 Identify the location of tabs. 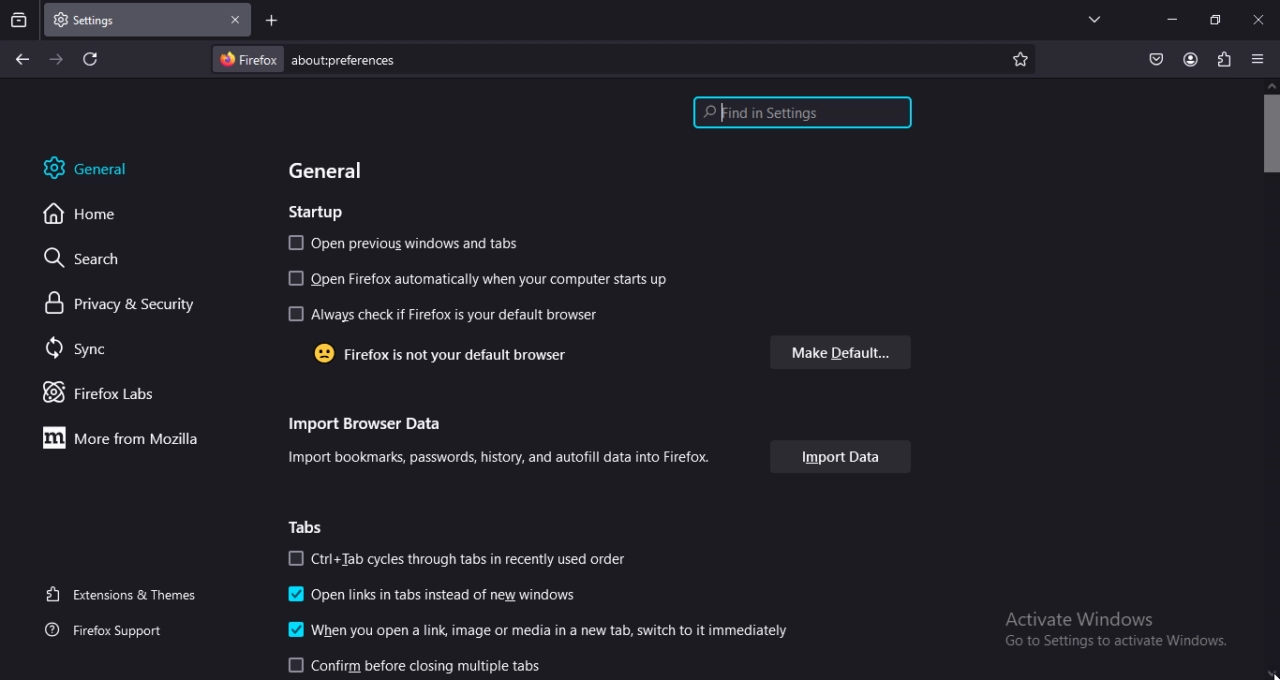
(308, 526).